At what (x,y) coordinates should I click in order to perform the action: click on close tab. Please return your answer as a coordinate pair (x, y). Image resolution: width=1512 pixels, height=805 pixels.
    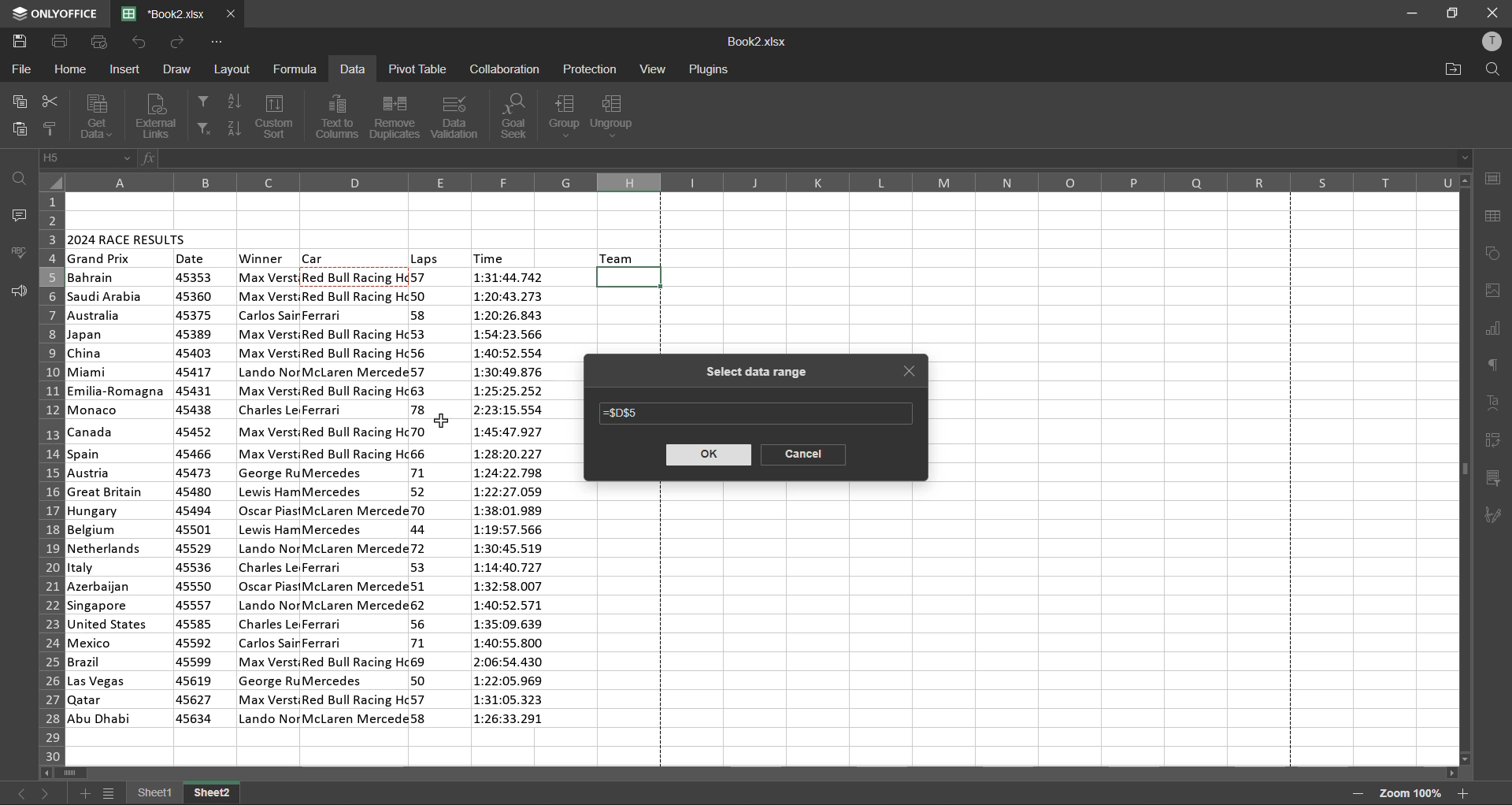
    Looking at the image, I should click on (912, 374).